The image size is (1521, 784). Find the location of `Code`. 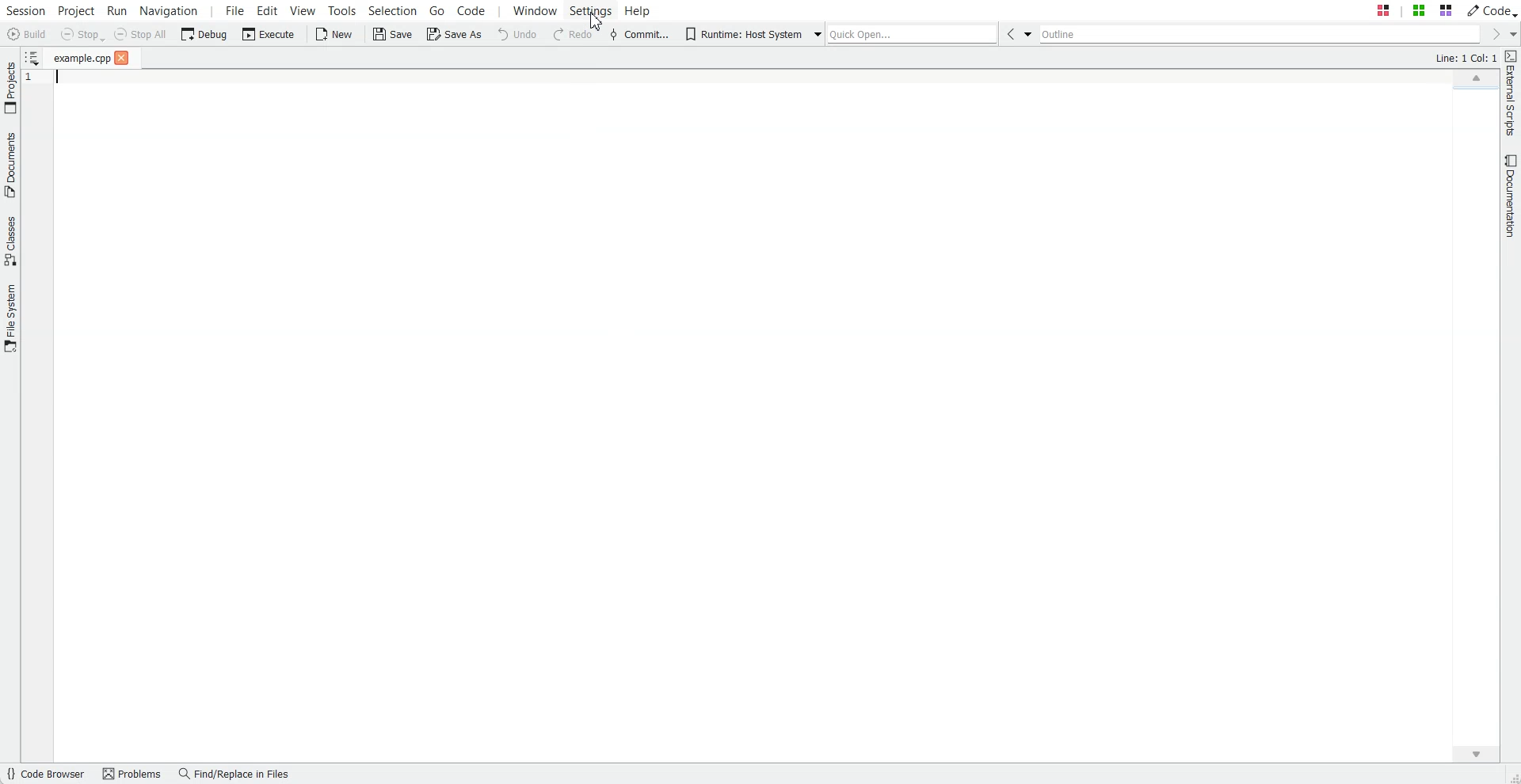

Code is located at coordinates (1492, 10).